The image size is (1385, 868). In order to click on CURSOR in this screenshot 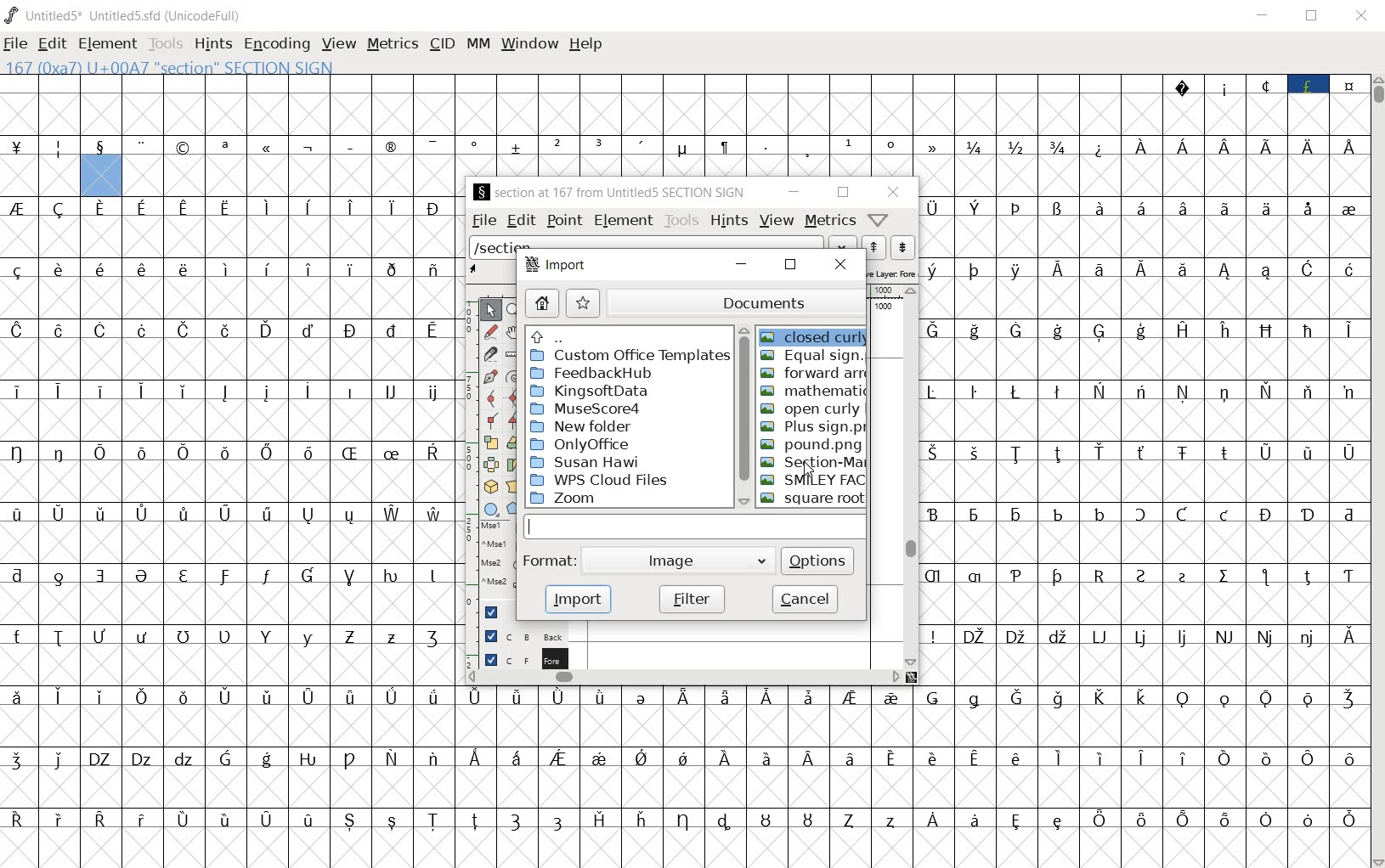, I will do `click(806, 466)`.